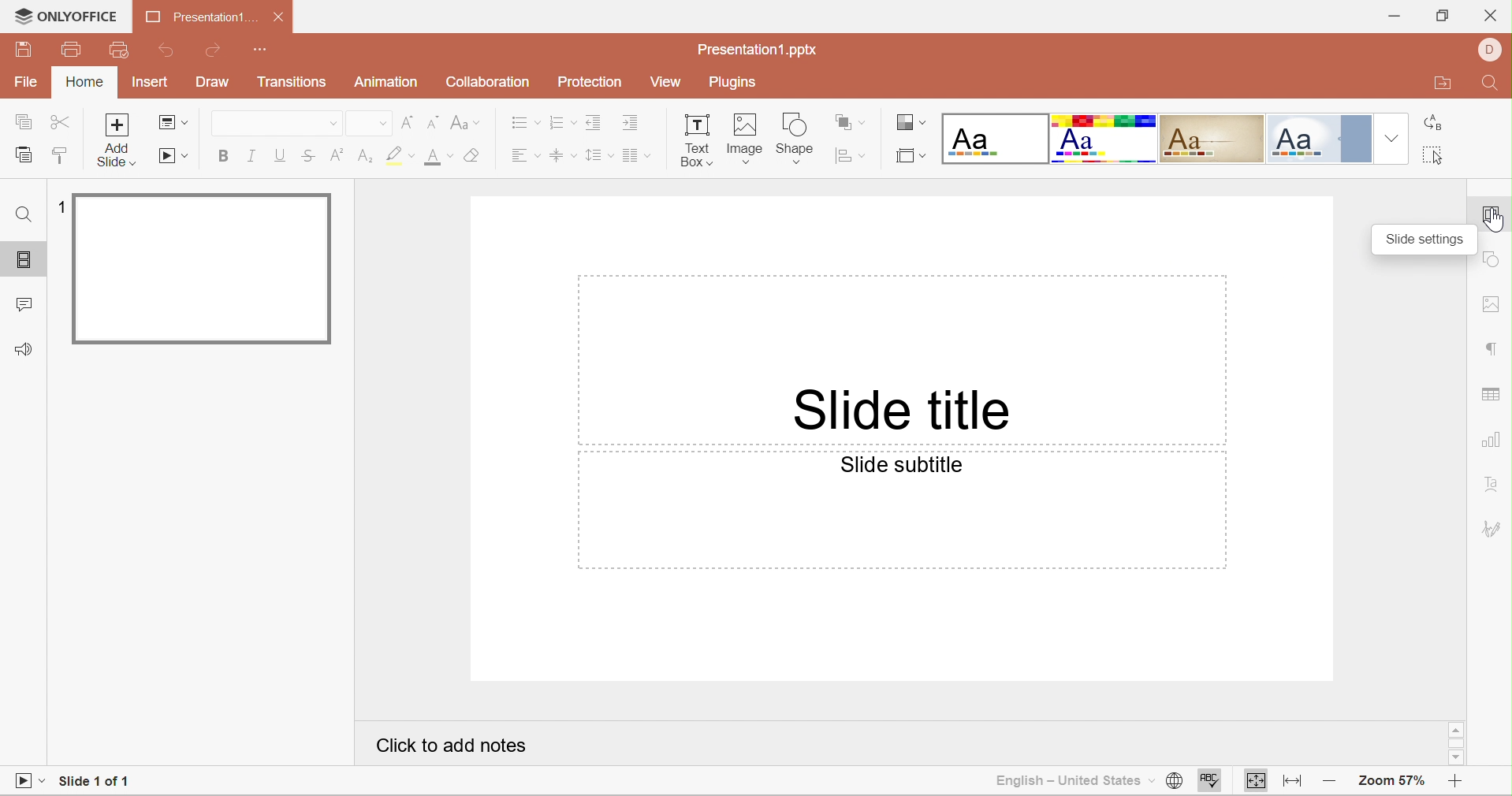  I want to click on Zoom in, so click(1454, 784).